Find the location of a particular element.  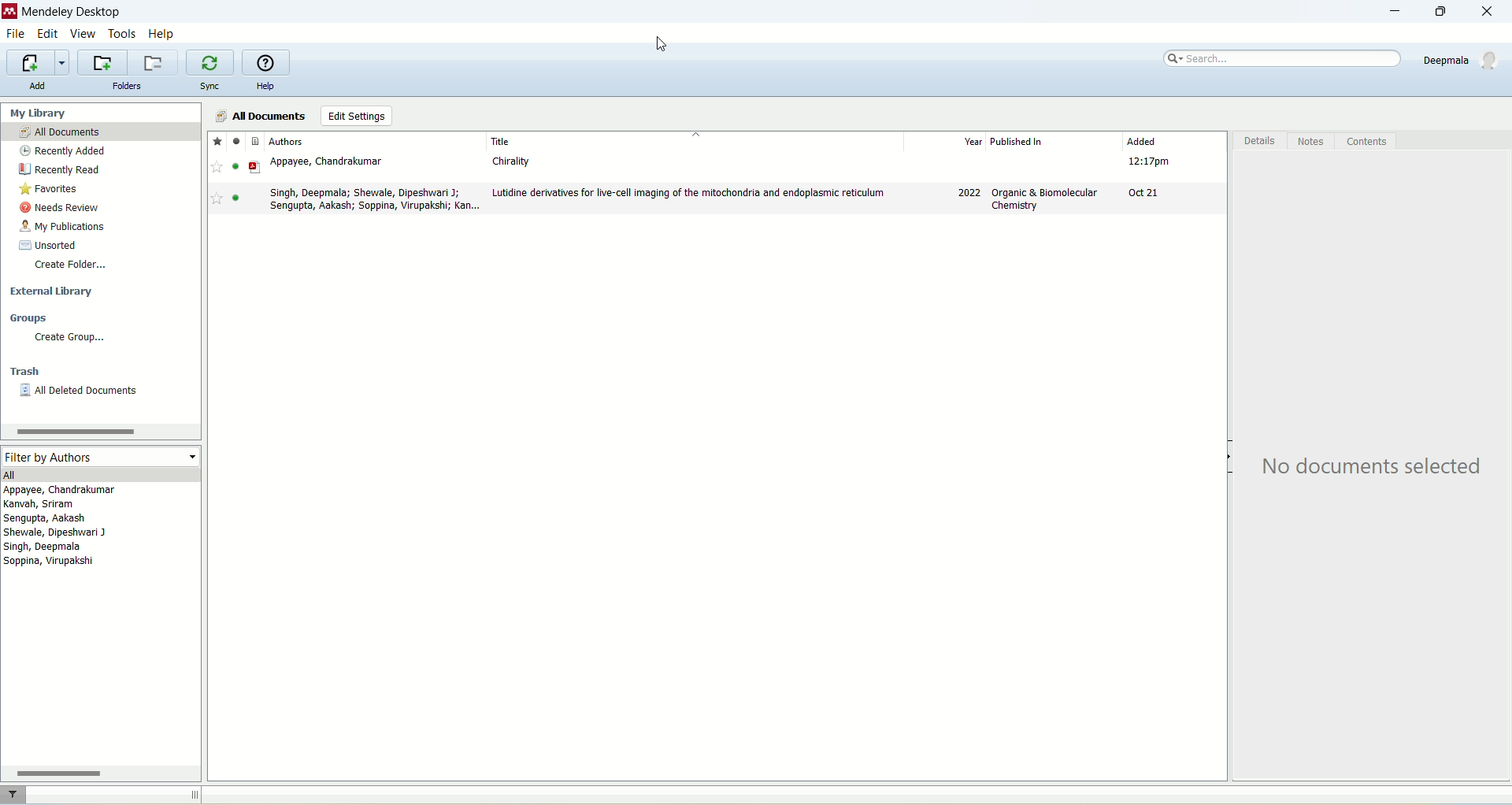

close is located at coordinates (1490, 9).